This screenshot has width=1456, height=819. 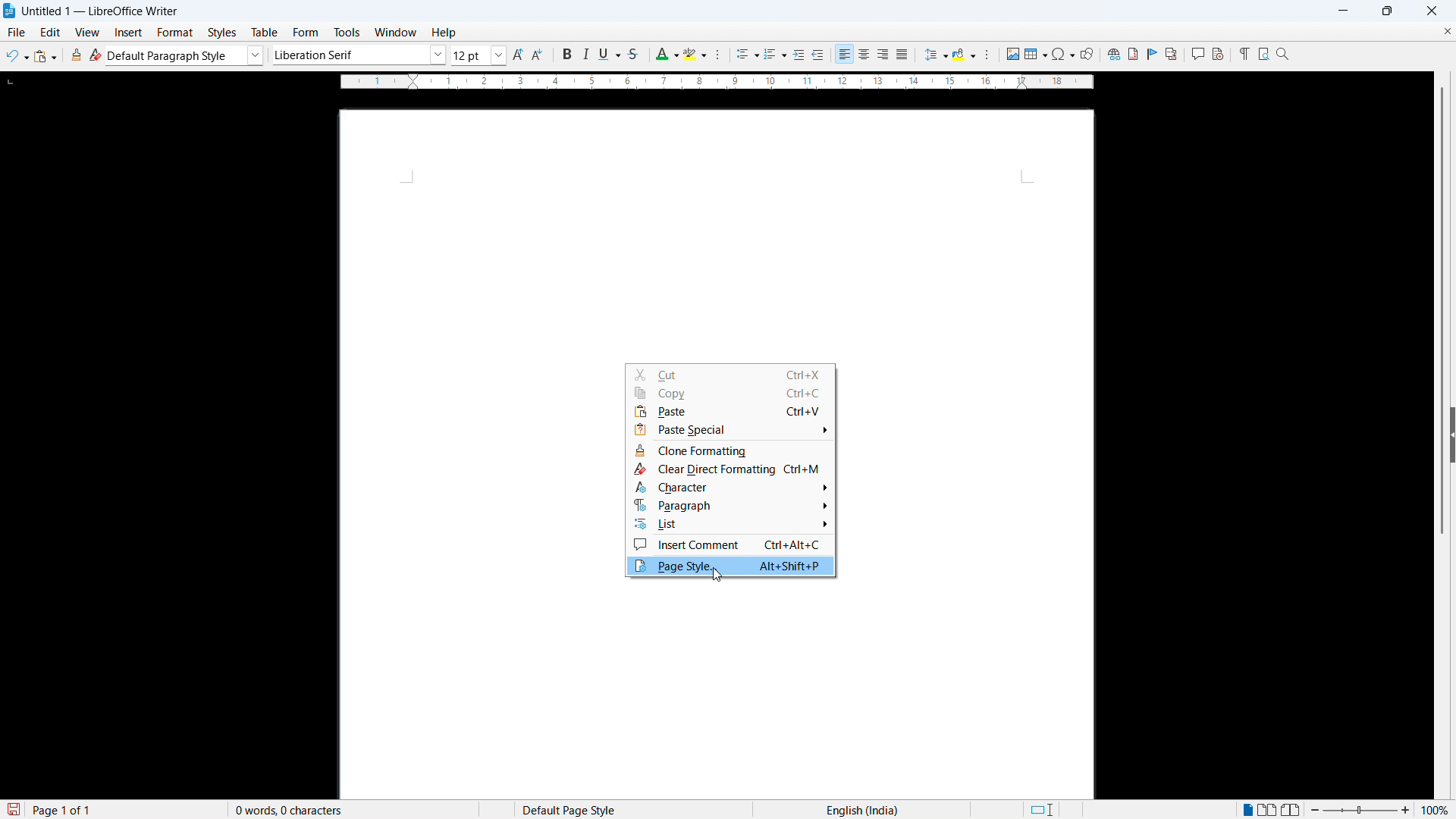 I want to click on Align left, so click(x=845, y=55).